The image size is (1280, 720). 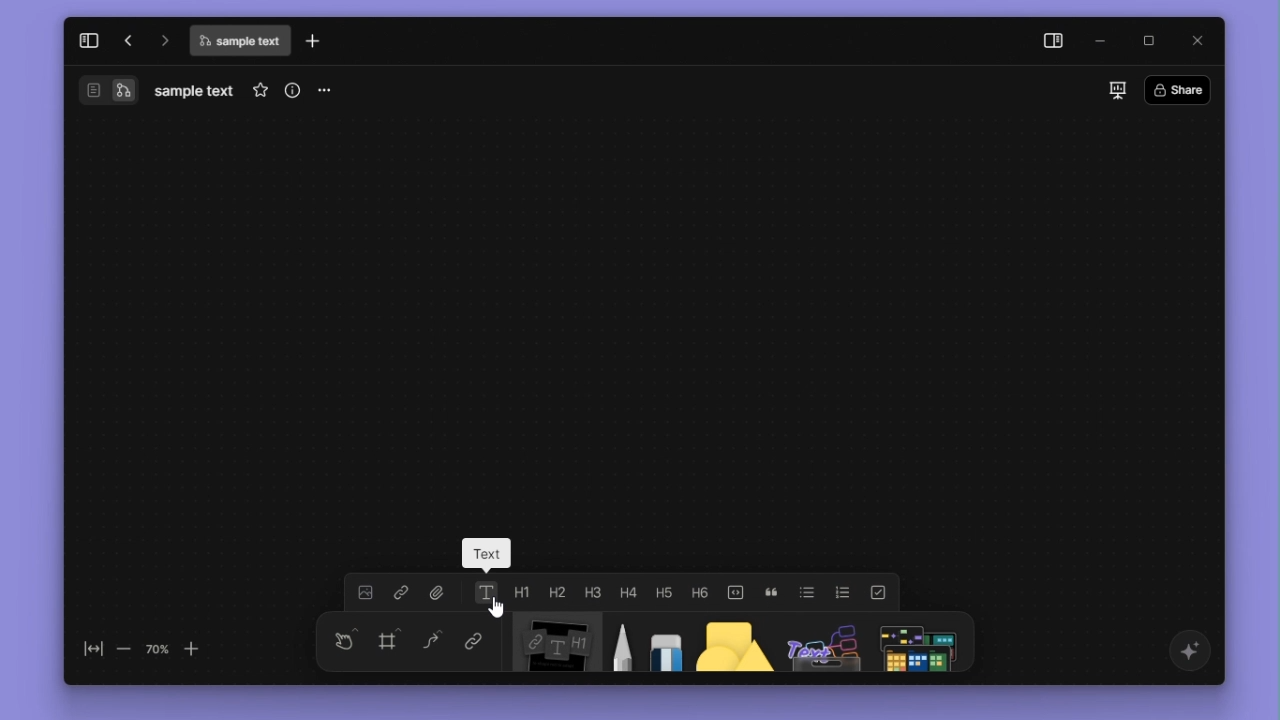 I want to click on Curve C, so click(x=432, y=644).